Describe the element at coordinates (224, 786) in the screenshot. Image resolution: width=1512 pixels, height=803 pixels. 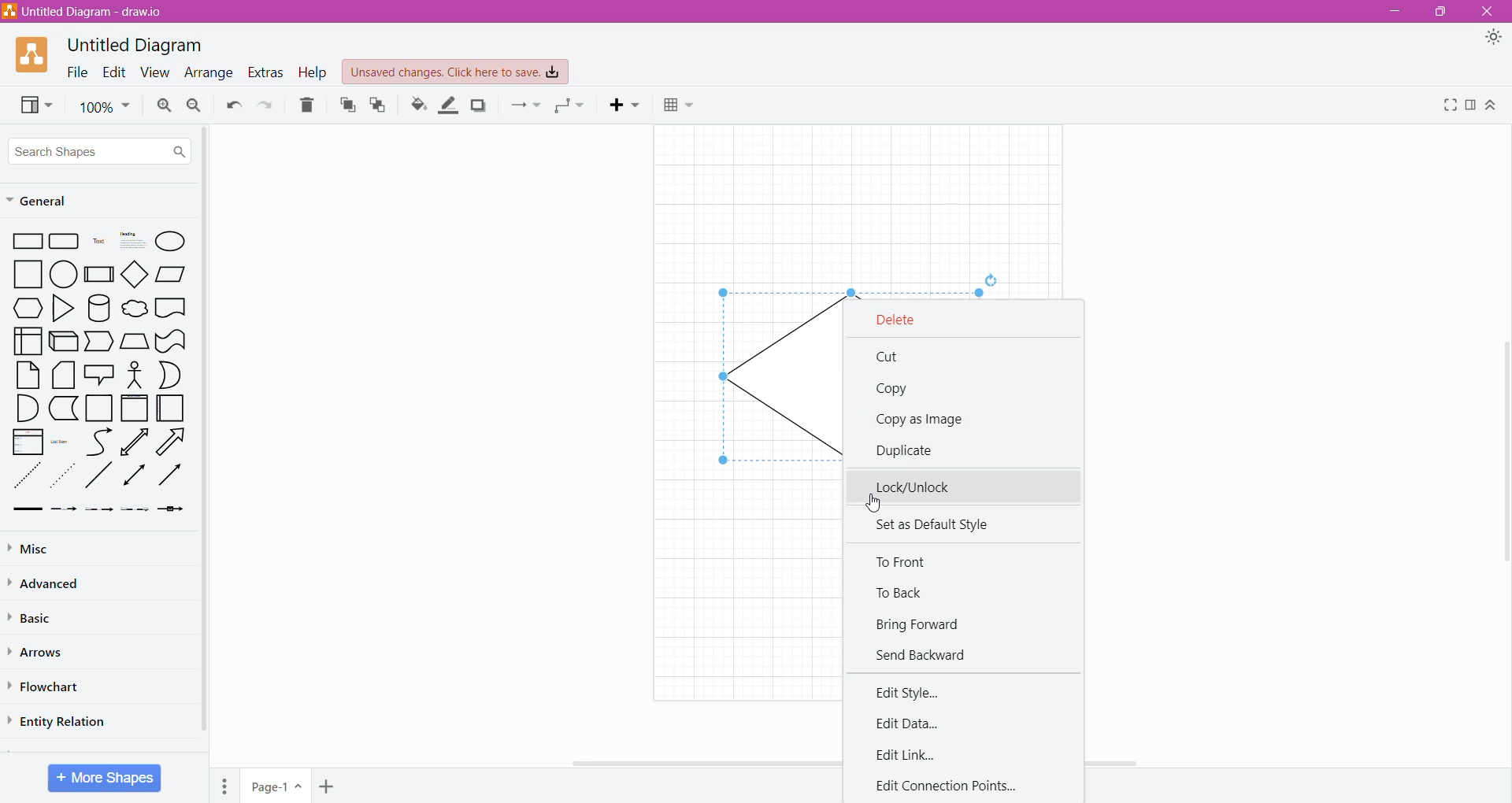
I see `Pages` at that location.